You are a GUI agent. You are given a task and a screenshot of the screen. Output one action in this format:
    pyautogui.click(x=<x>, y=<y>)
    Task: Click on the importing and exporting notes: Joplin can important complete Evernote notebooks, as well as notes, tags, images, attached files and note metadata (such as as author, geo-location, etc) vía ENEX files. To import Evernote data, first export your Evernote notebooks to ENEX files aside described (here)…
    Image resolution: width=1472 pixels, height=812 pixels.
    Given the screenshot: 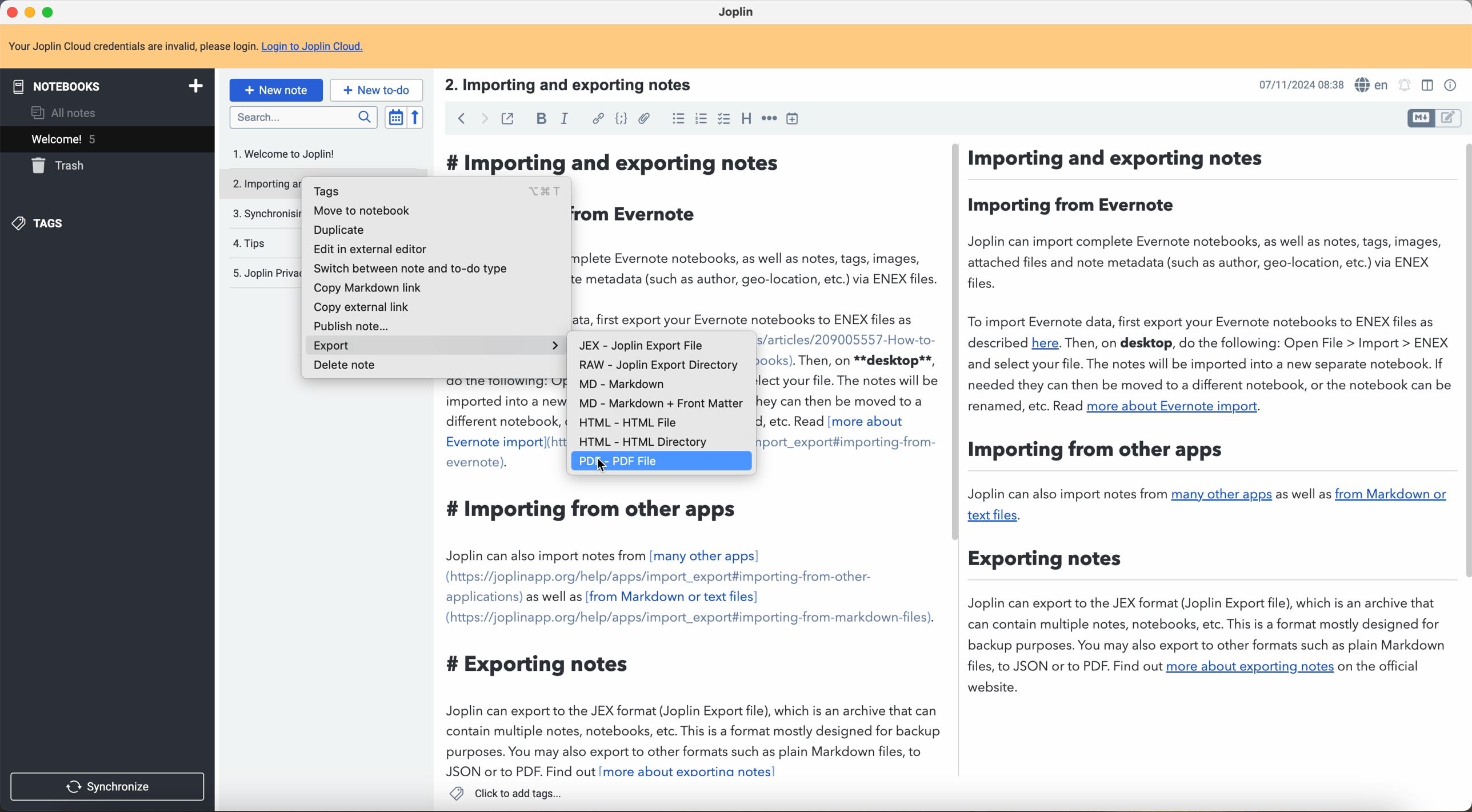 What is the action you would take?
    pyautogui.click(x=499, y=580)
    